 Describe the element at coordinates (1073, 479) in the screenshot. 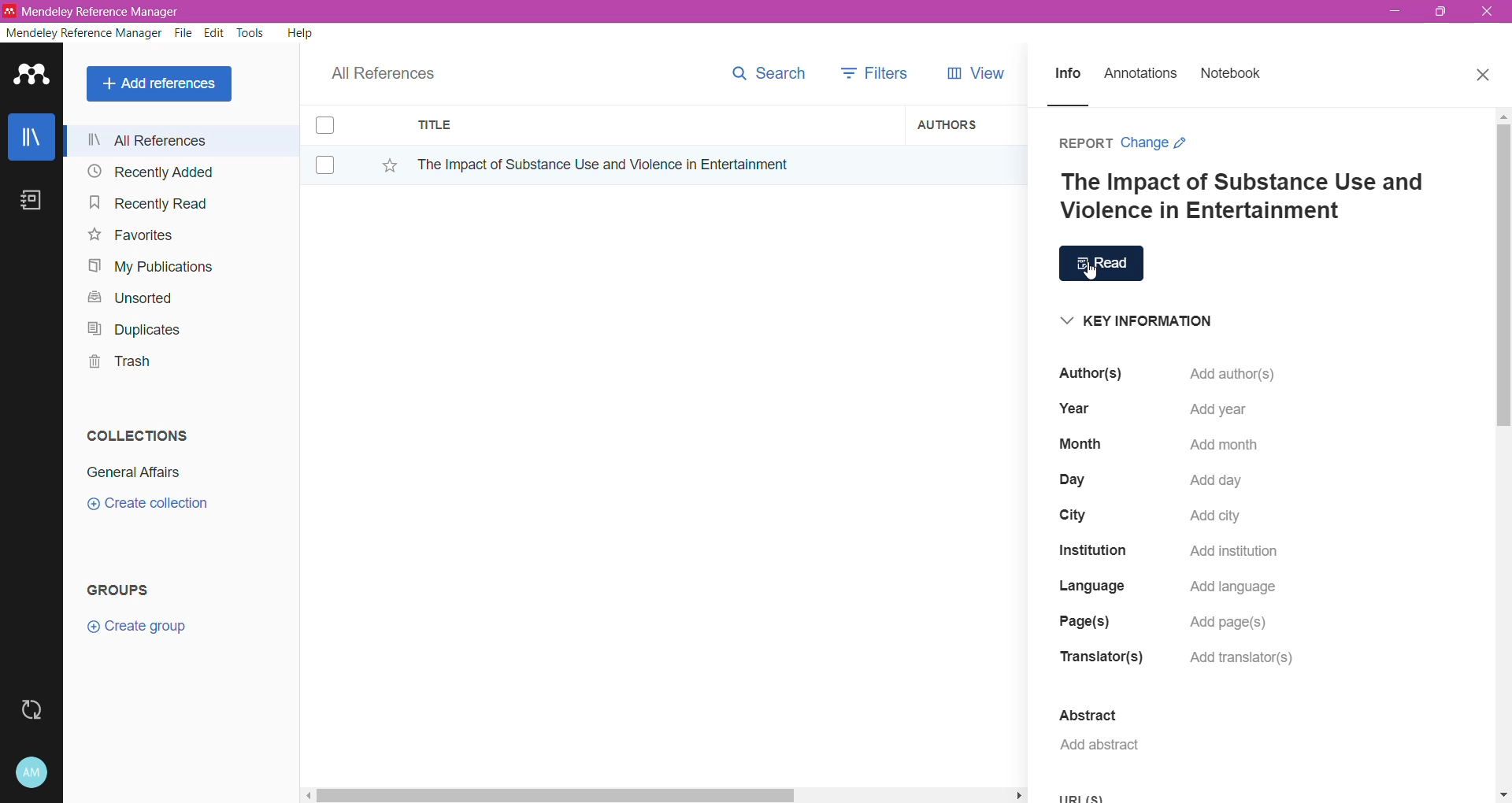

I see `Day` at that location.